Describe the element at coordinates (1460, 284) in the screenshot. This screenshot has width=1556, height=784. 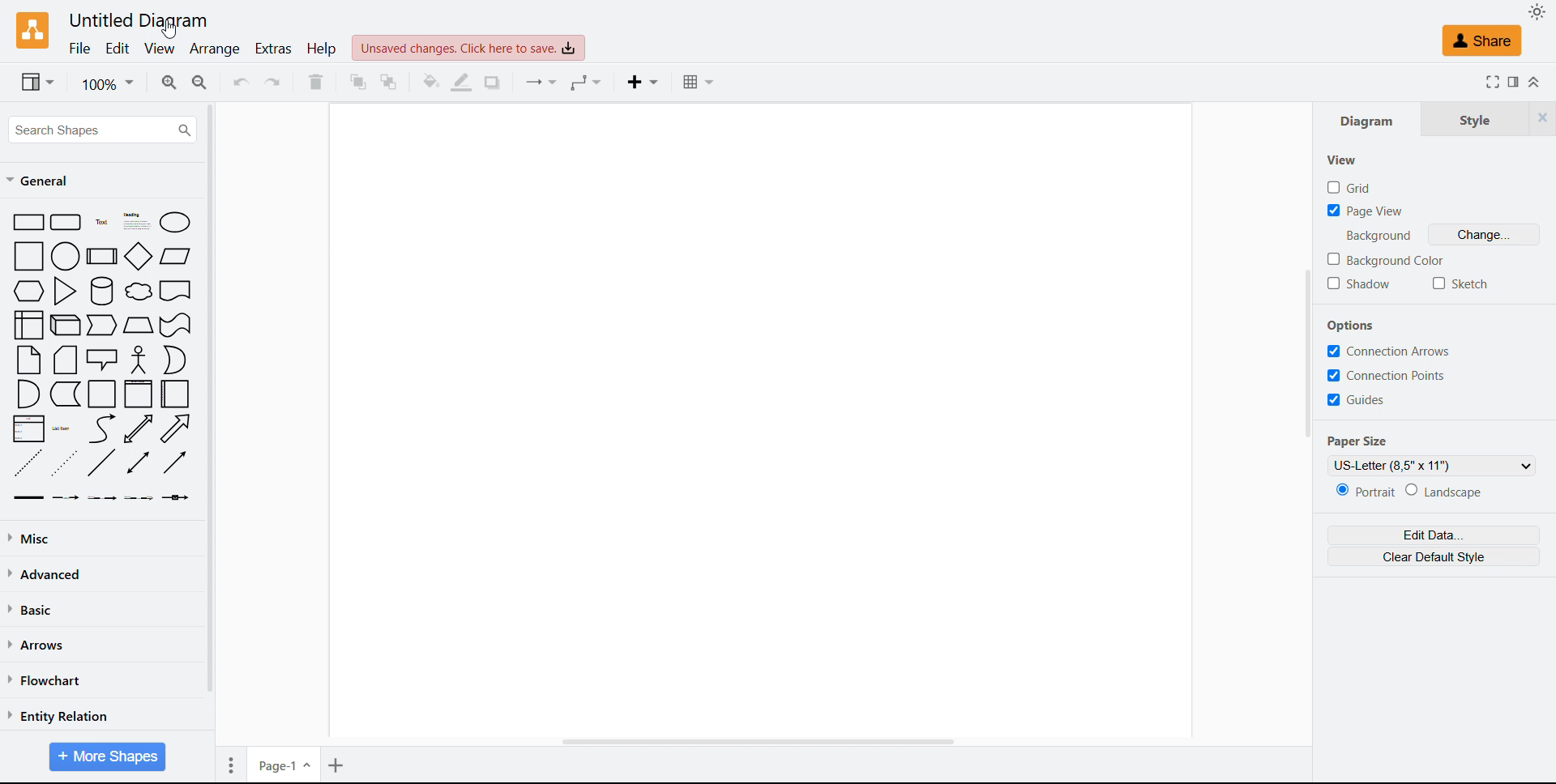
I see `sketch ` at that location.